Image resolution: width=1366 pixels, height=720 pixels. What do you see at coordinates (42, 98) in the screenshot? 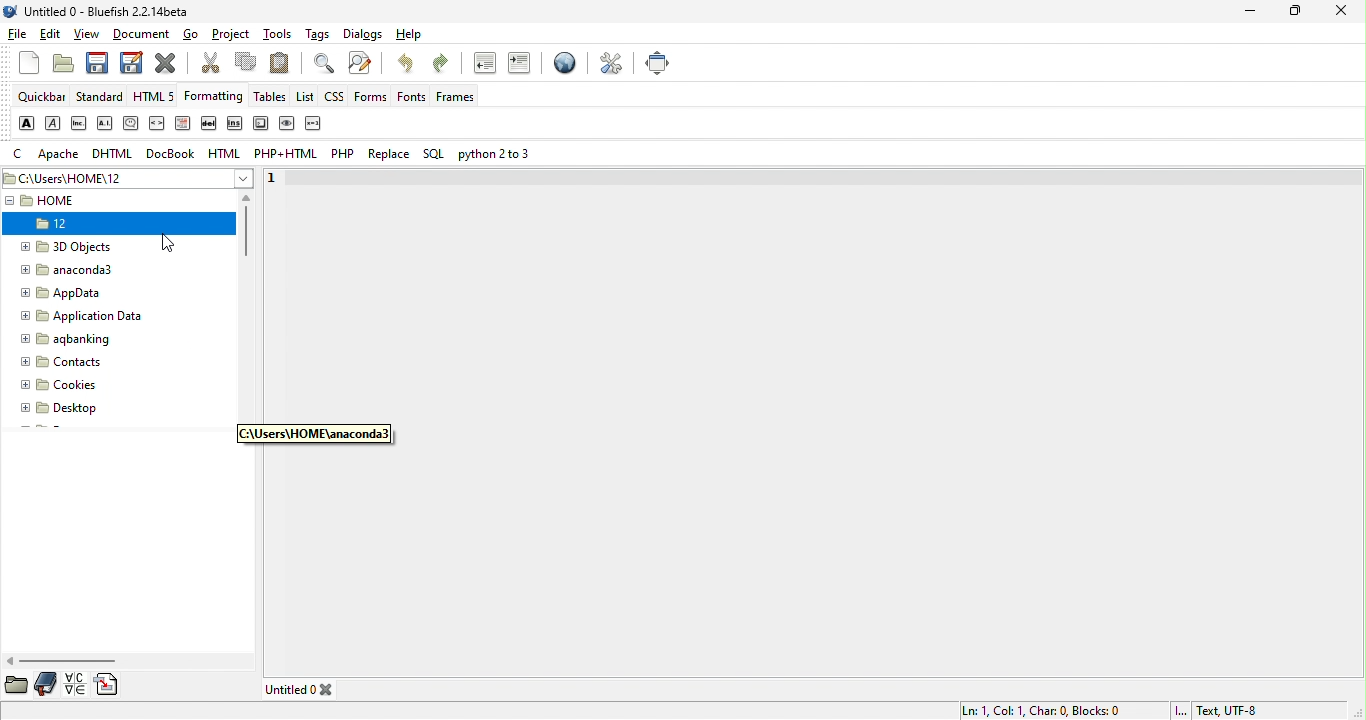
I see `quickbar` at bounding box center [42, 98].